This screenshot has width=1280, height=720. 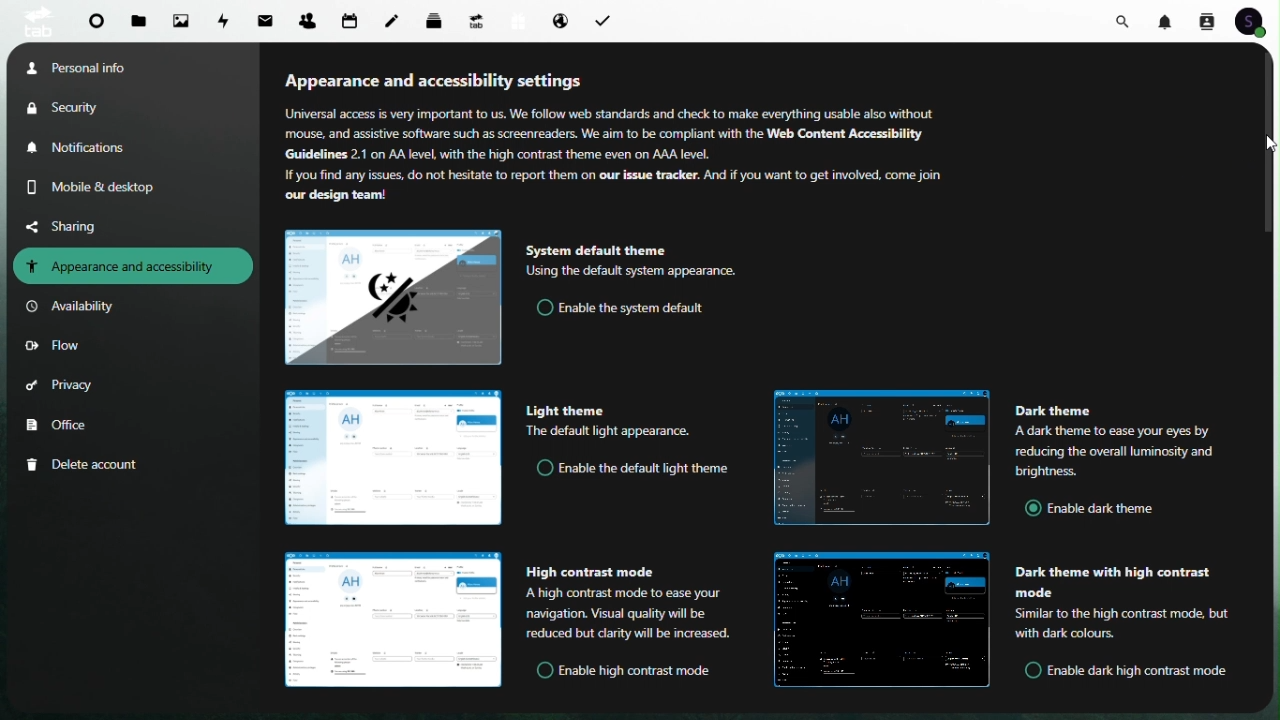 I want to click on Appearance and visibility, so click(x=133, y=266).